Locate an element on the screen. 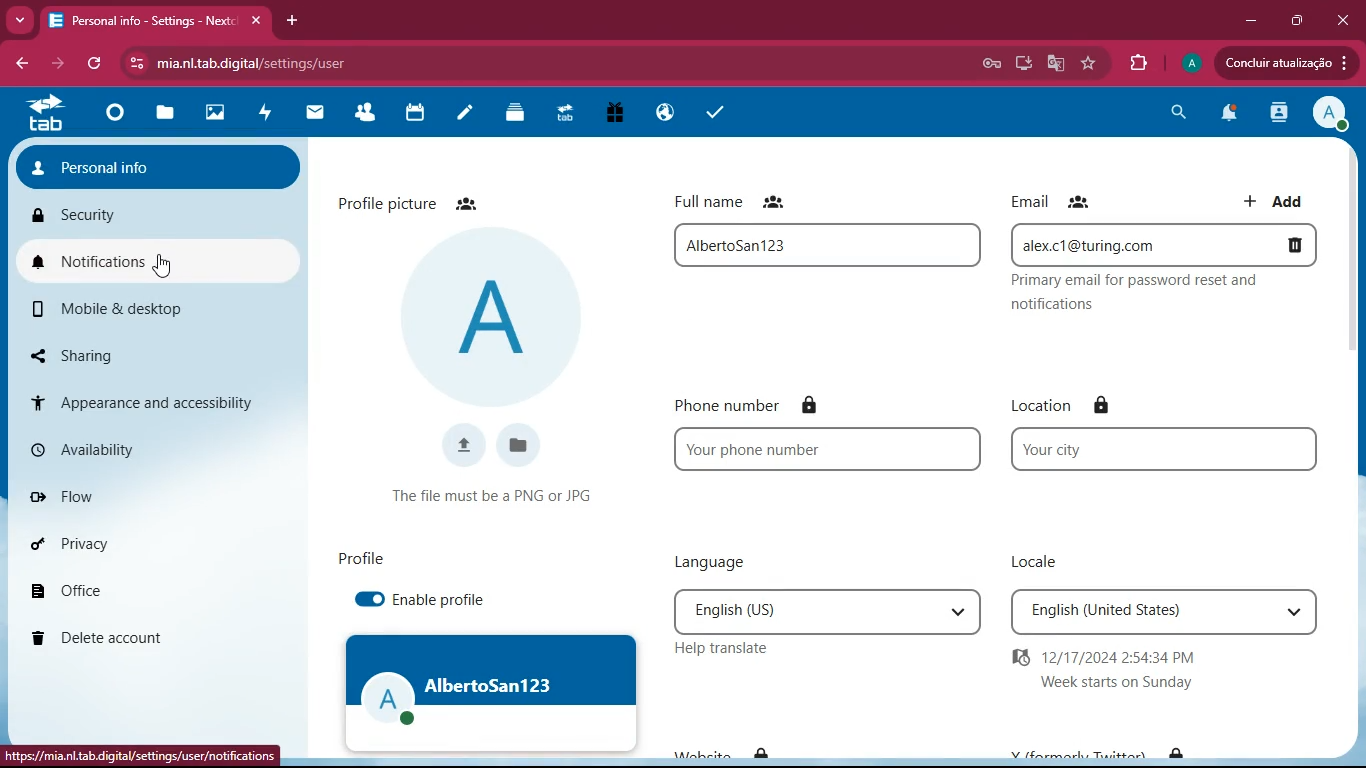  update is located at coordinates (1281, 63).